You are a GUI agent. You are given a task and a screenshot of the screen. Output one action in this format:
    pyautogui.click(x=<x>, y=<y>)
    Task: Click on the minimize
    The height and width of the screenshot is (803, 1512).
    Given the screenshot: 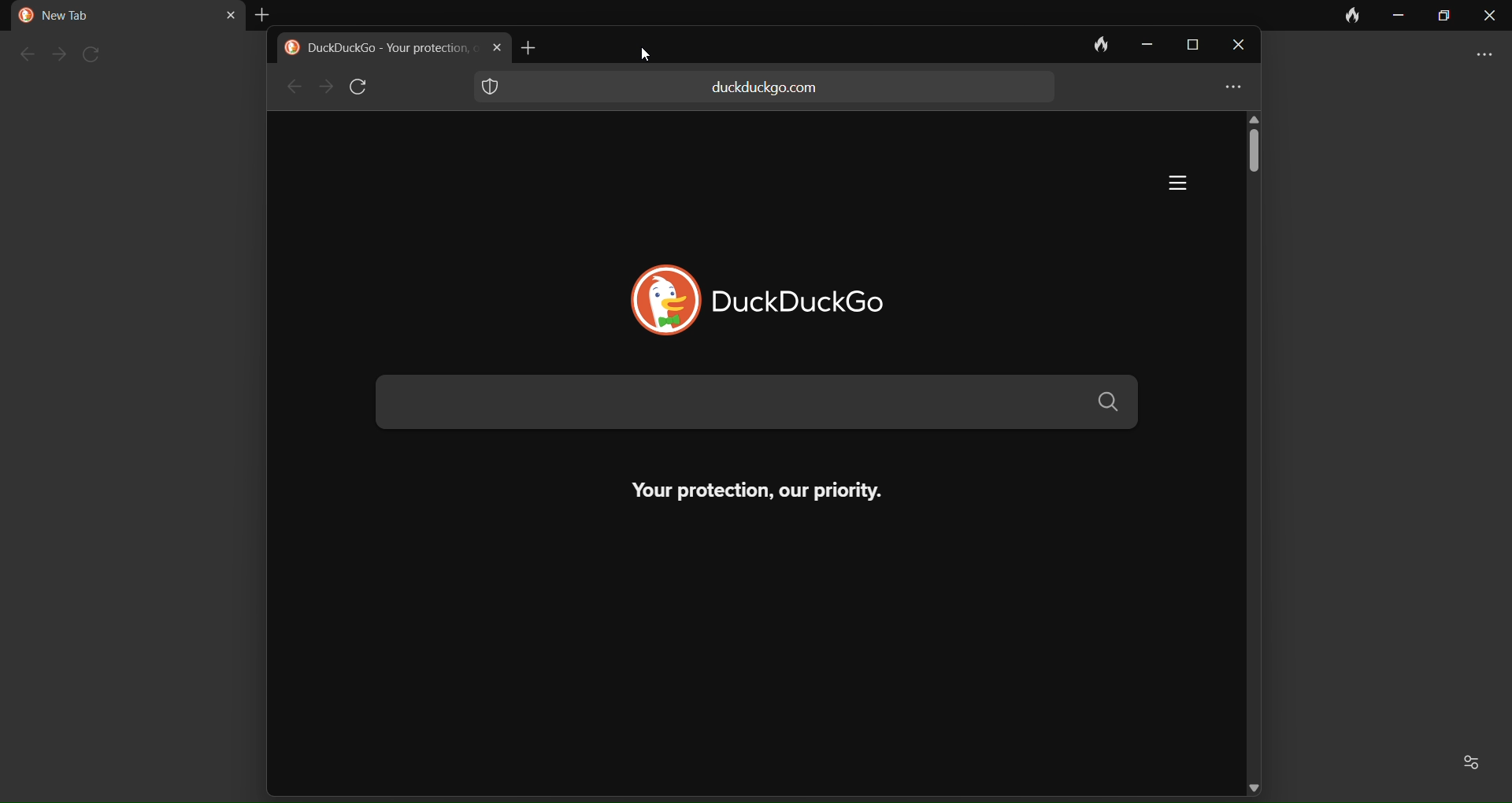 What is the action you would take?
    pyautogui.click(x=1399, y=17)
    